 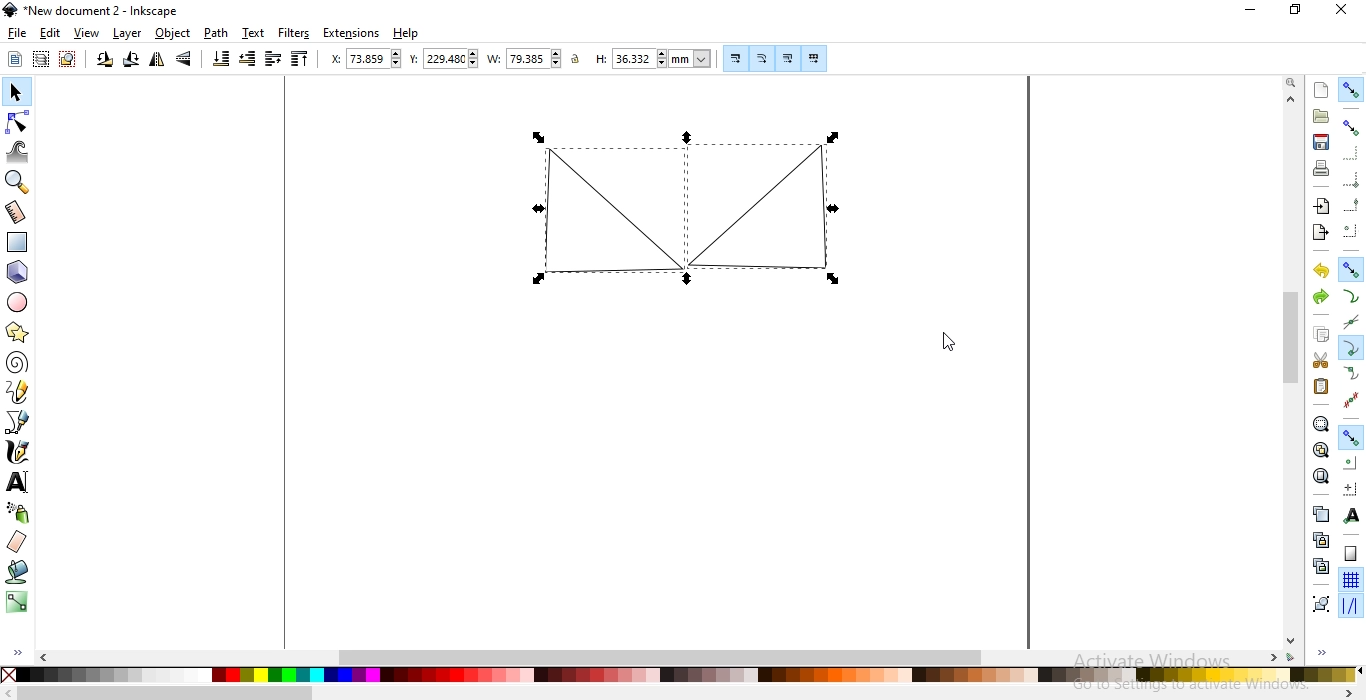 I want to click on flip vertically, so click(x=184, y=60).